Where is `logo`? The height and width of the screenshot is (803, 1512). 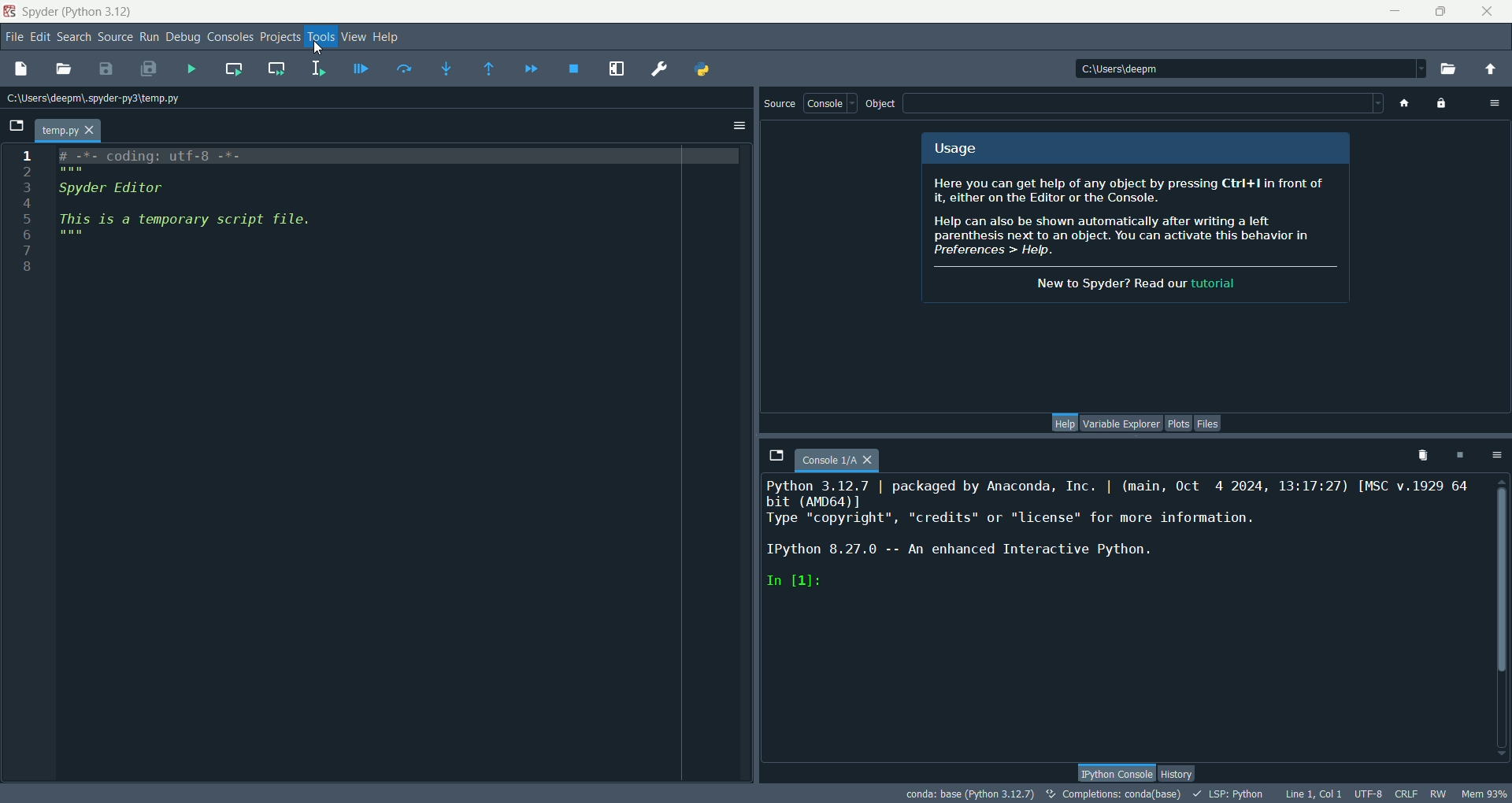 logo is located at coordinates (10, 13).